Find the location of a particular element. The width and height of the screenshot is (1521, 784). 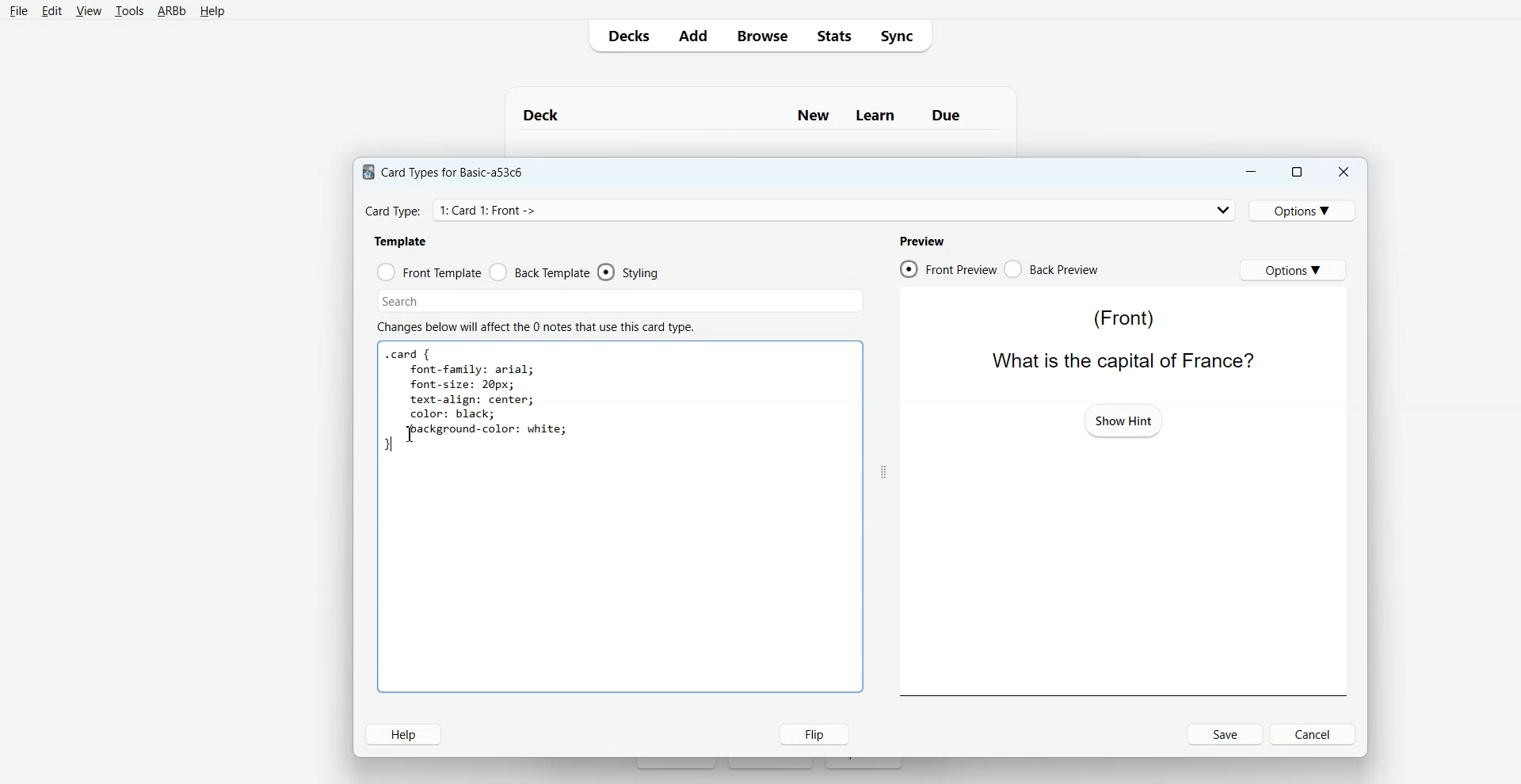

Back Template is located at coordinates (539, 272).